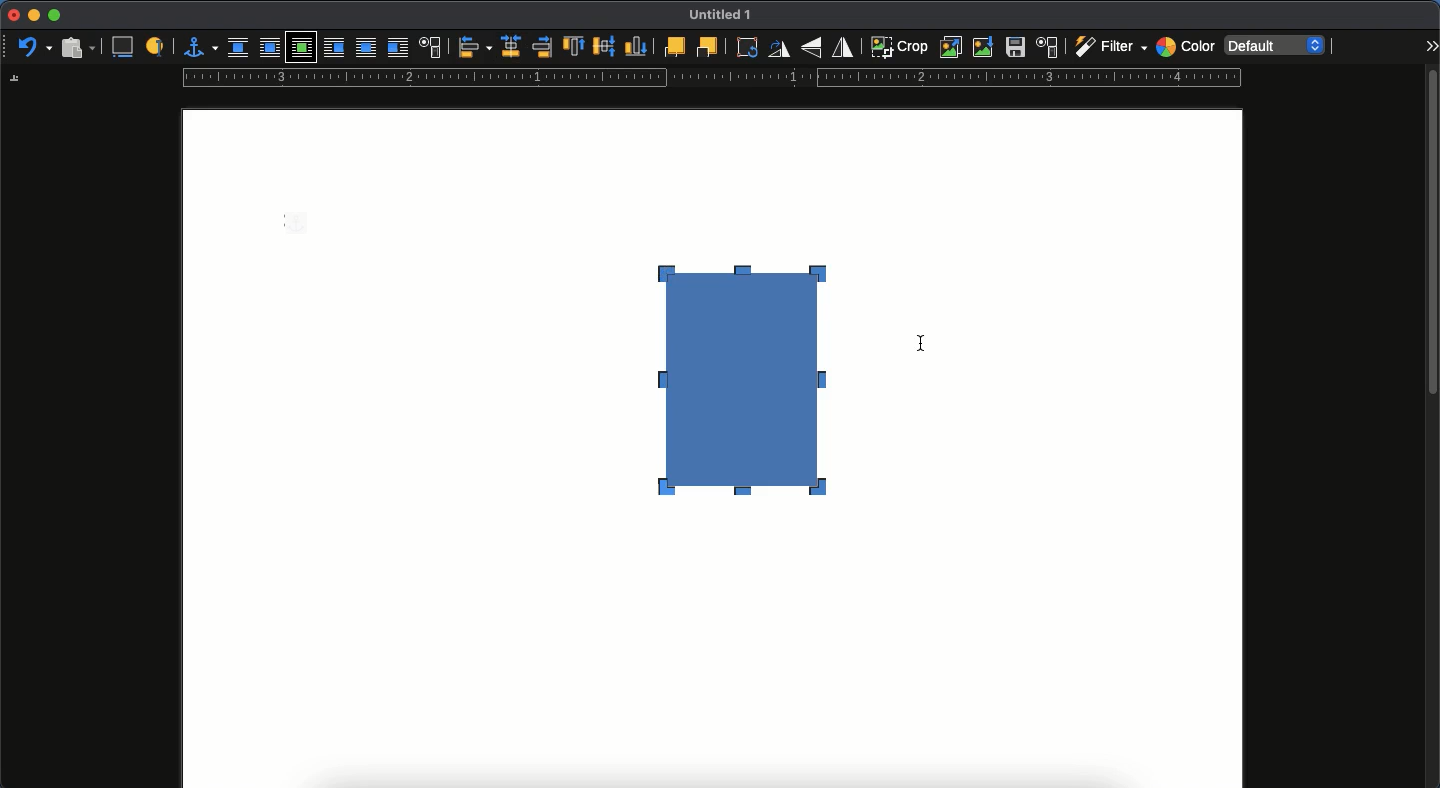  I want to click on crop, so click(899, 46).